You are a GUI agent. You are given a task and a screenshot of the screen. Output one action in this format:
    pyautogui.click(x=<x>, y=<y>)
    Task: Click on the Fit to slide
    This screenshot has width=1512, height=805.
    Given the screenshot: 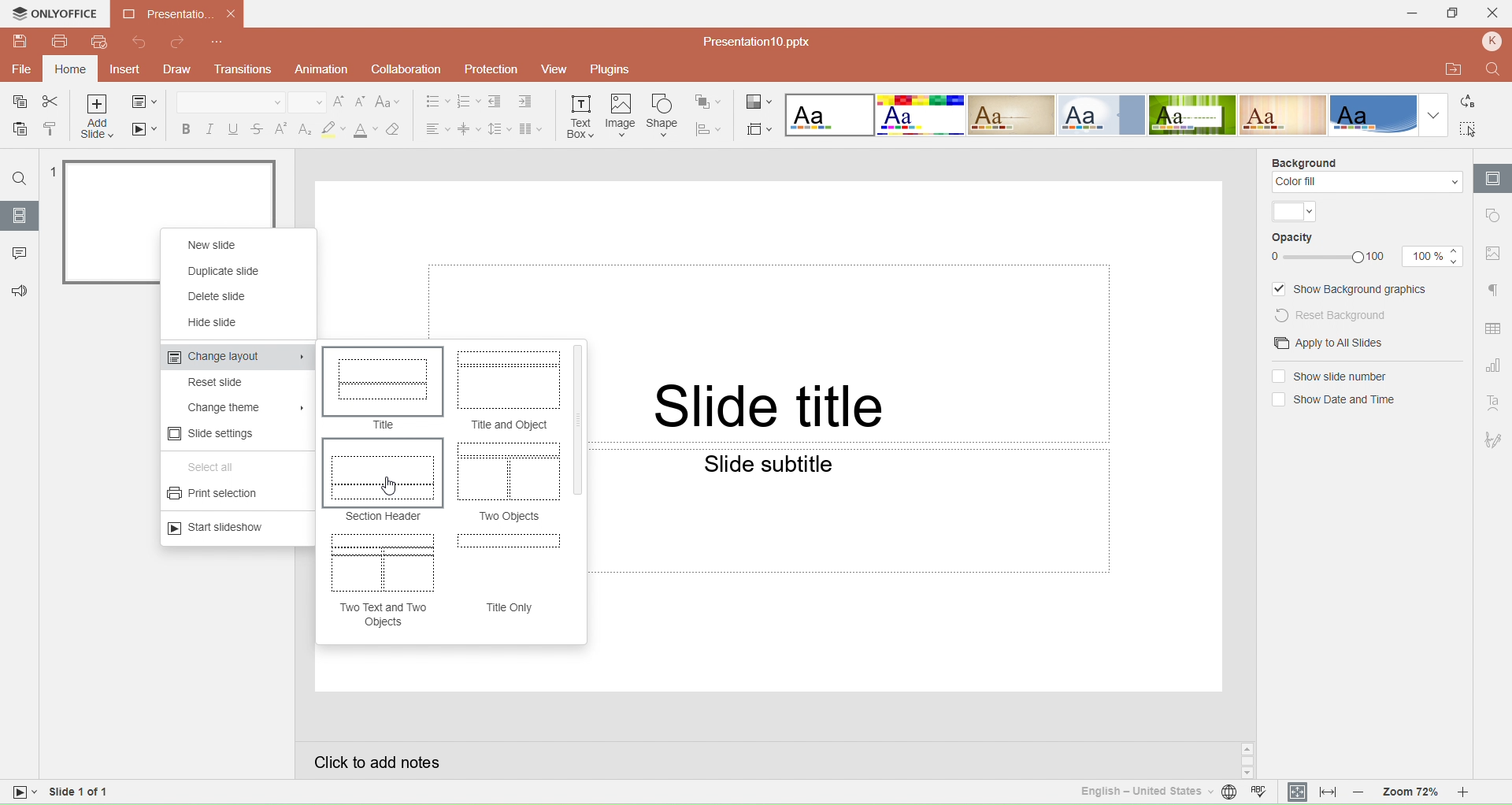 What is the action you would take?
    pyautogui.click(x=1297, y=792)
    